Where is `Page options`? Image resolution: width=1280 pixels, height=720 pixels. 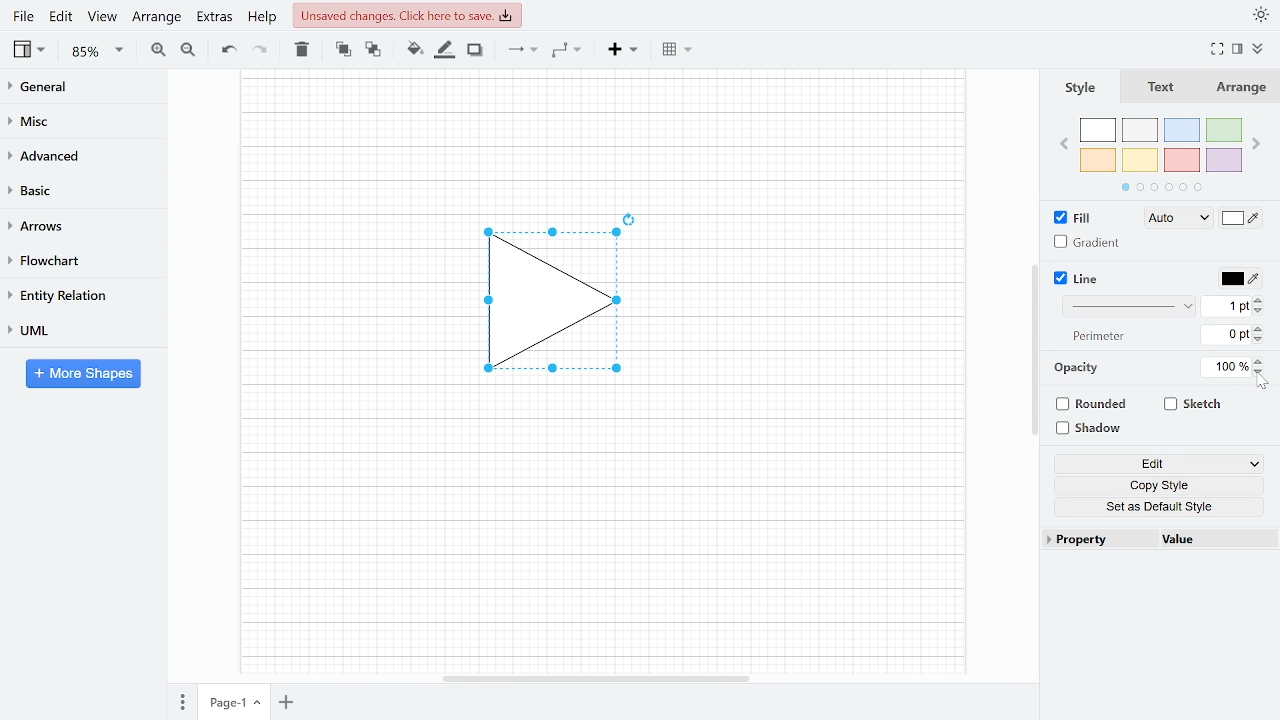
Page options is located at coordinates (260, 705).